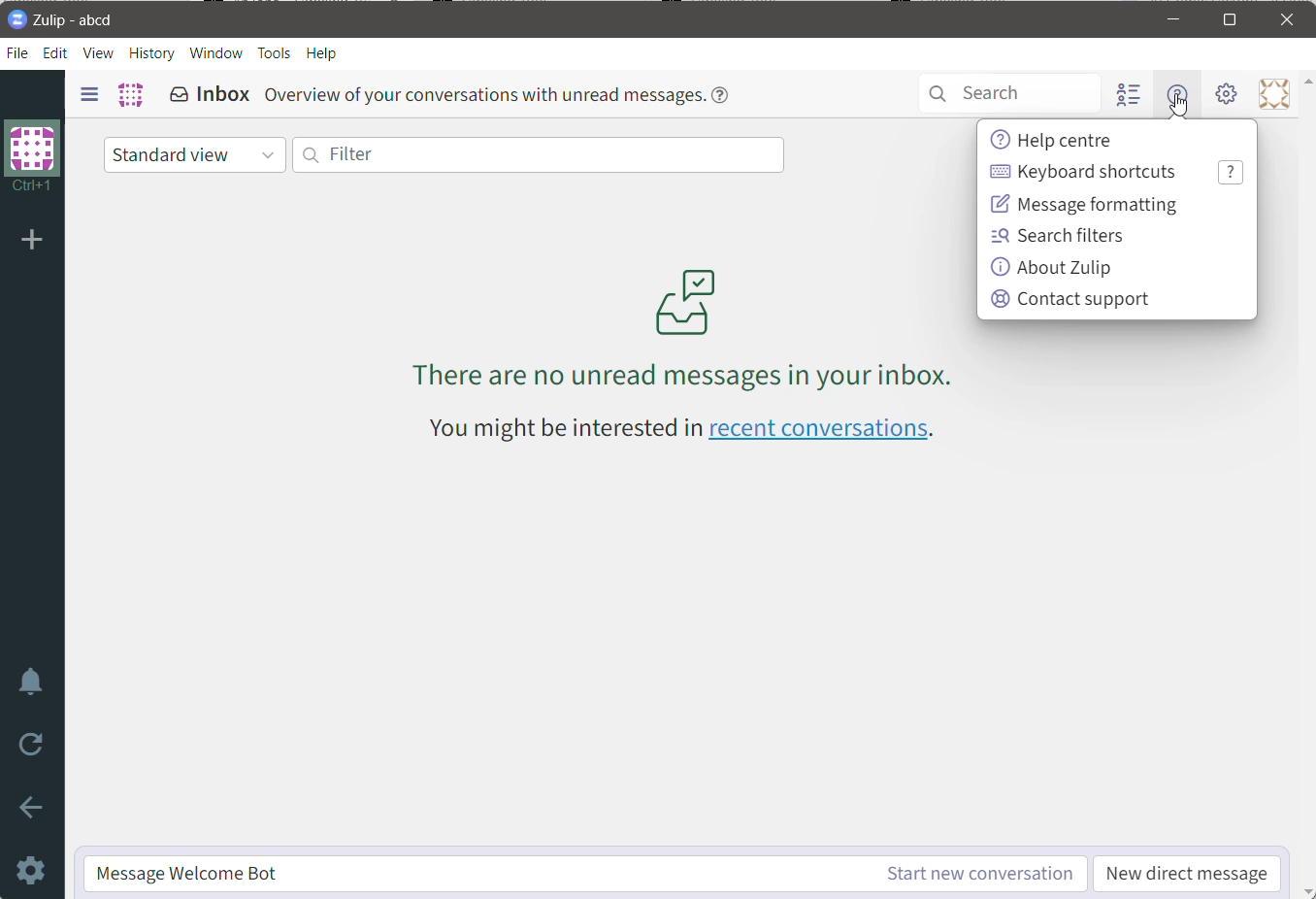 This screenshot has width=1316, height=899. I want to click on Organization , so click(130, 96).